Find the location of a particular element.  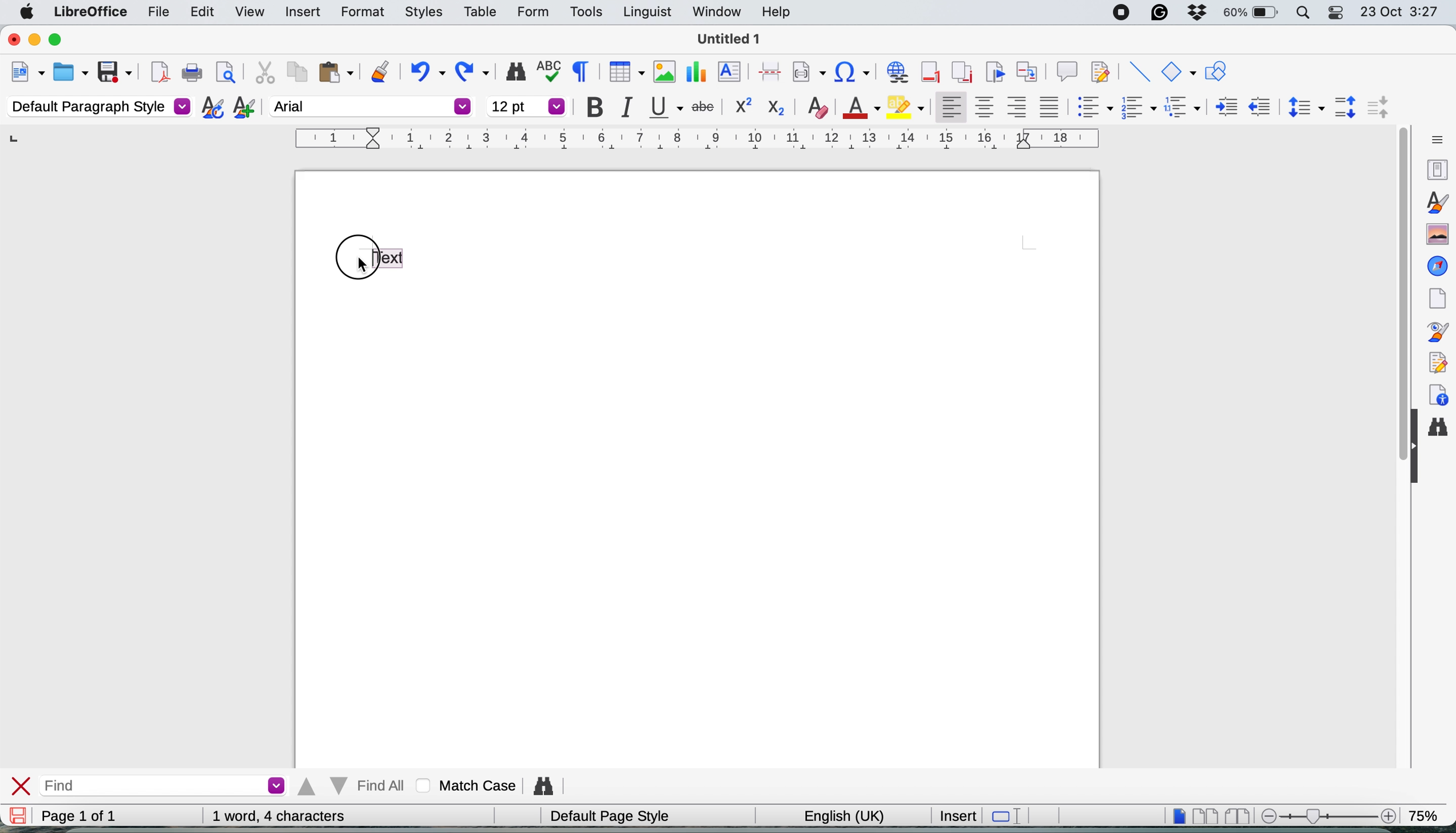

file name is located at coordinates (730, 39).